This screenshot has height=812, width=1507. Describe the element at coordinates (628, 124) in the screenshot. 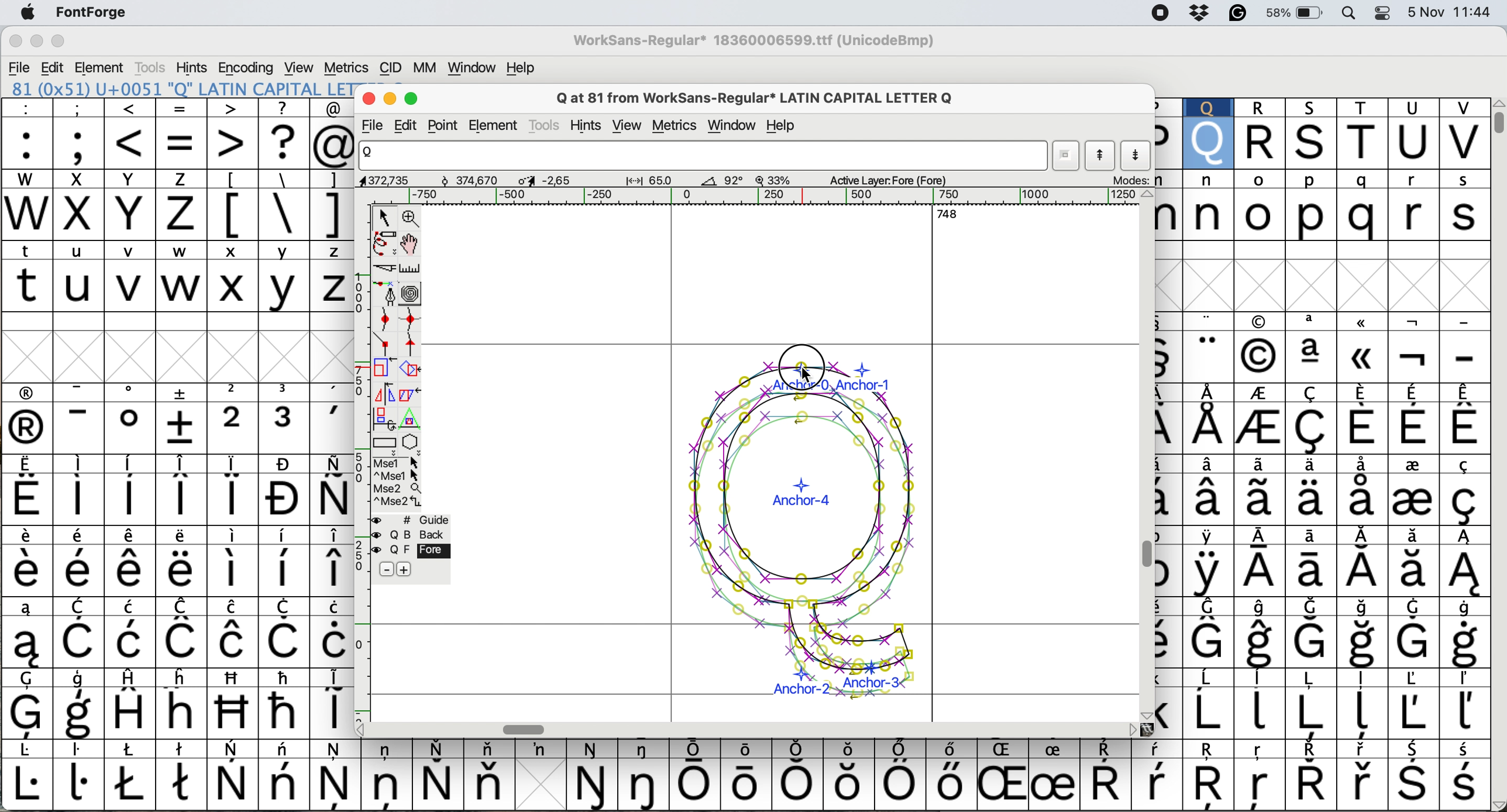

I see `view` at that location.